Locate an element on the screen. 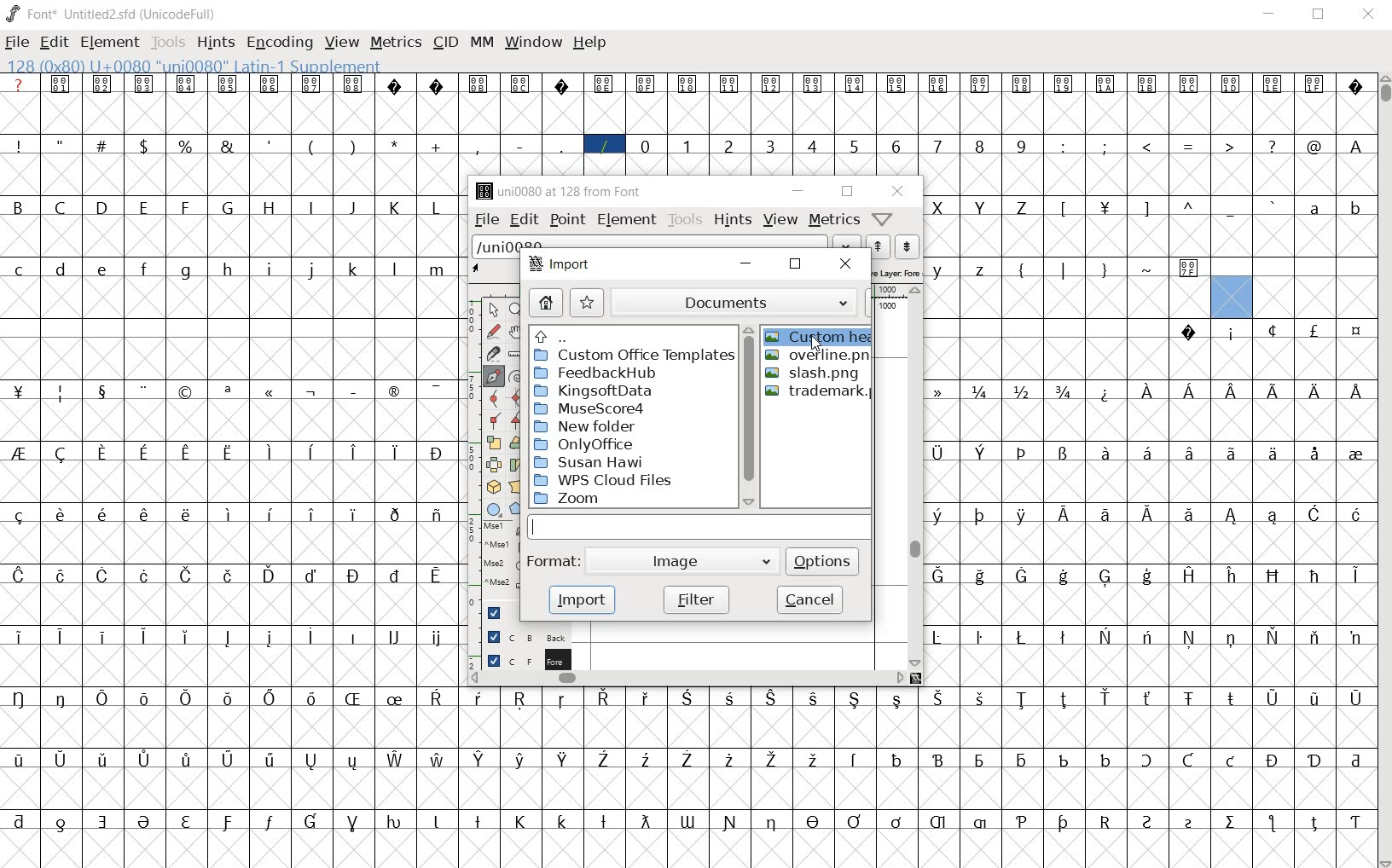 The image size is (1392, 868). glyph is located at coordinates (937, 391).